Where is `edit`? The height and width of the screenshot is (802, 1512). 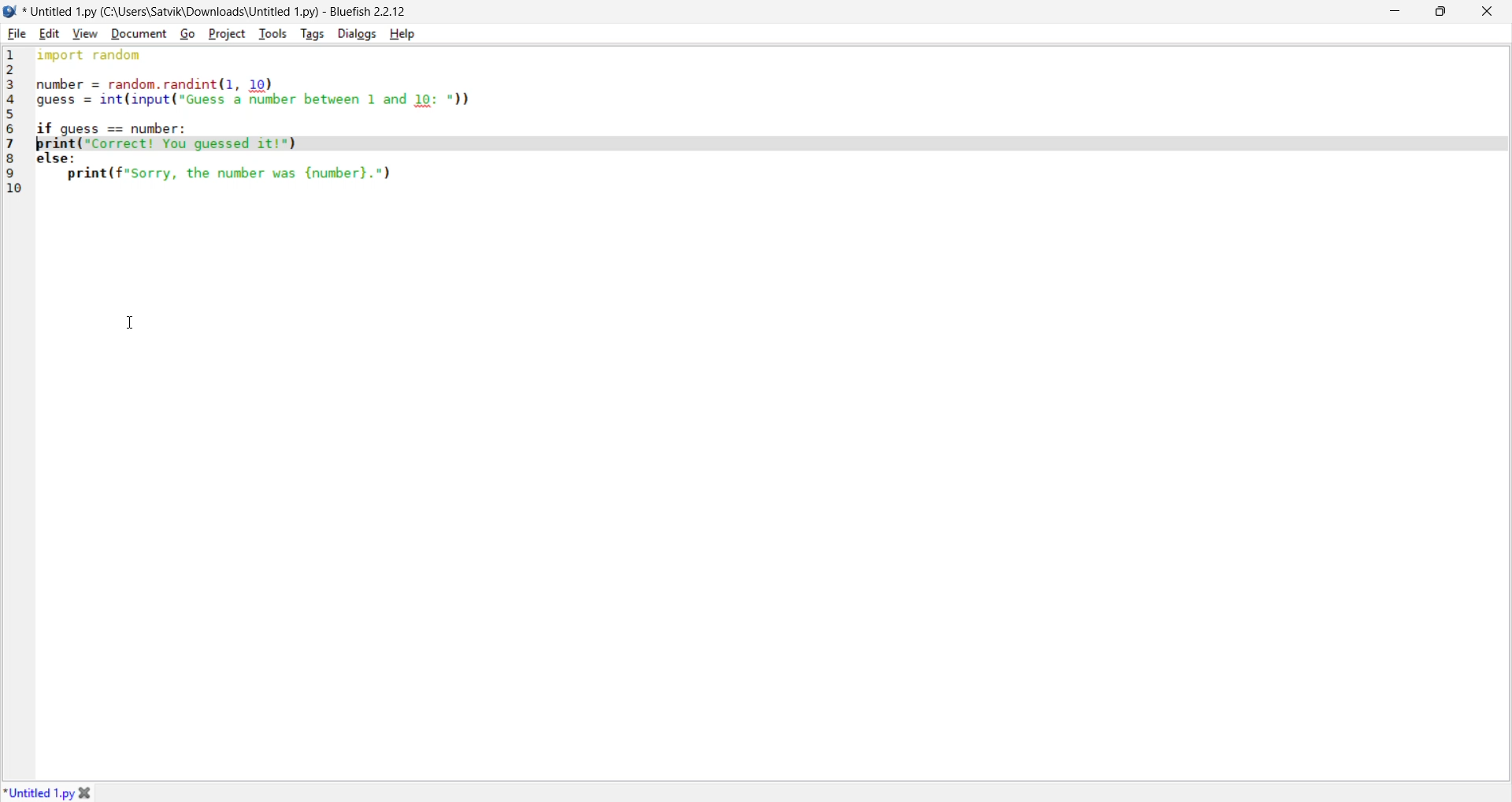
edit is located at coordinates (50, 35).